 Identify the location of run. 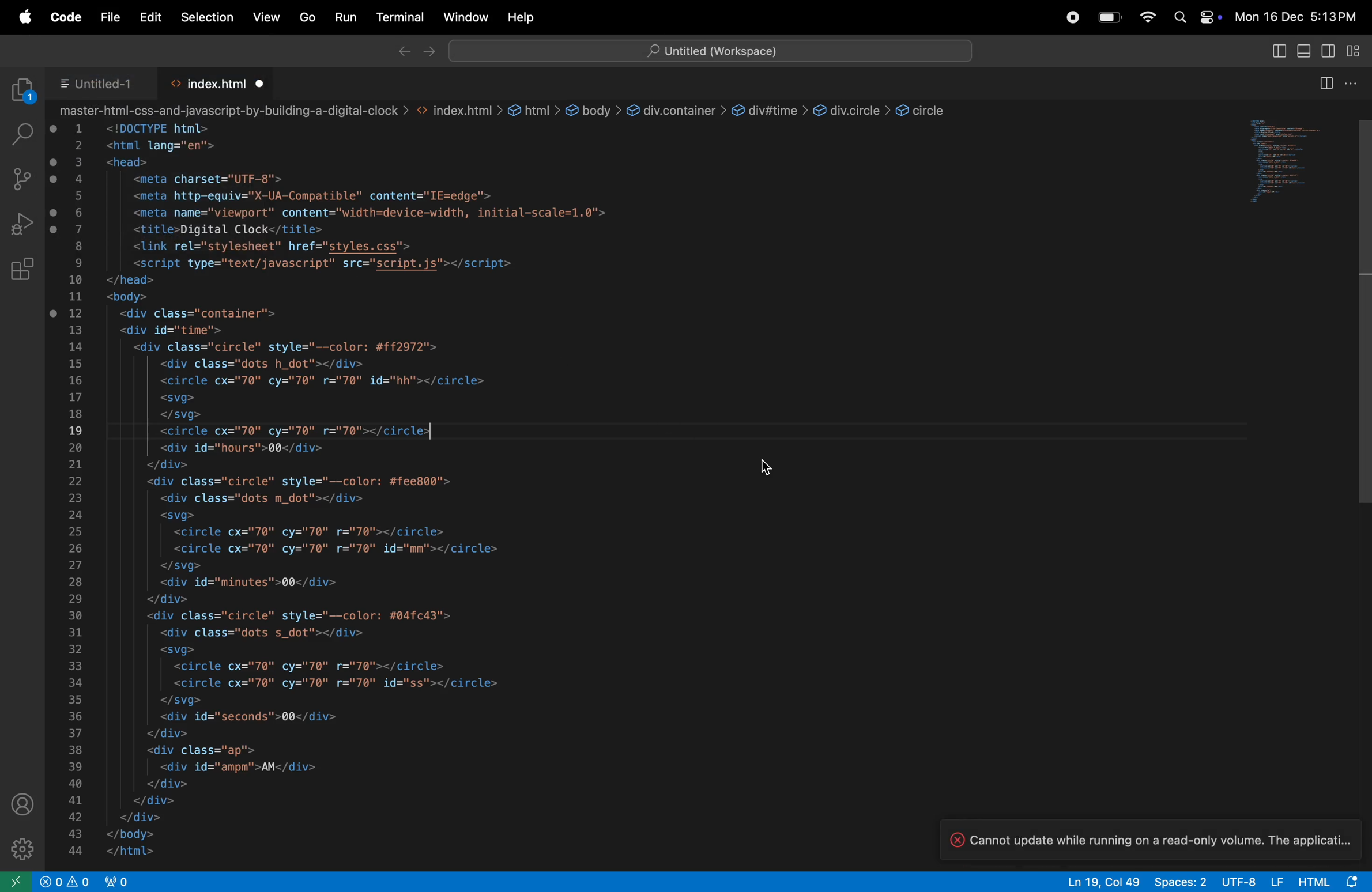
(345, 17).